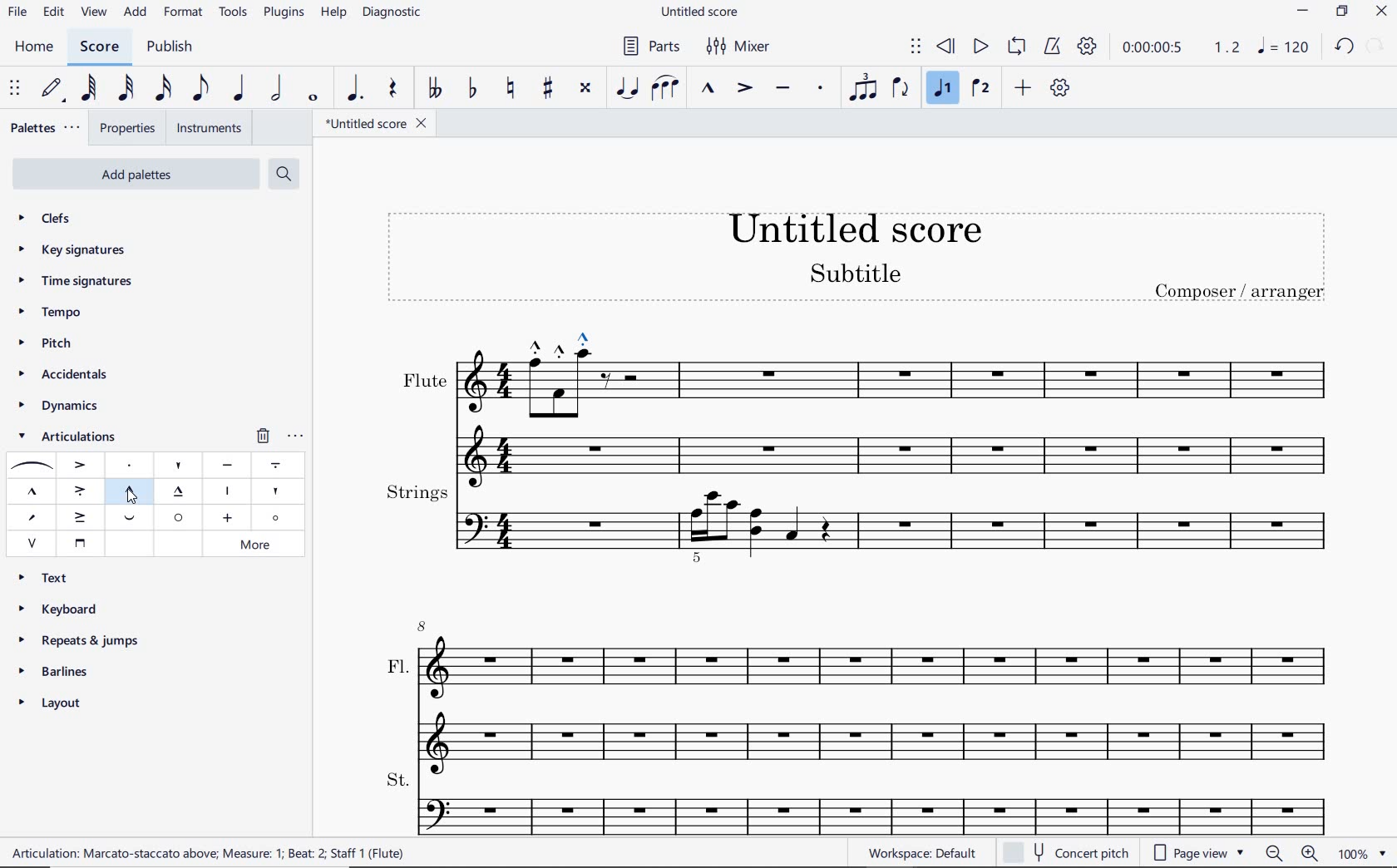 This screenshot has width=1397, height=868. What do you see at coordinates (861, 86) in the screenshot?
I see `TUPLET` at bounding box center [861, 86].